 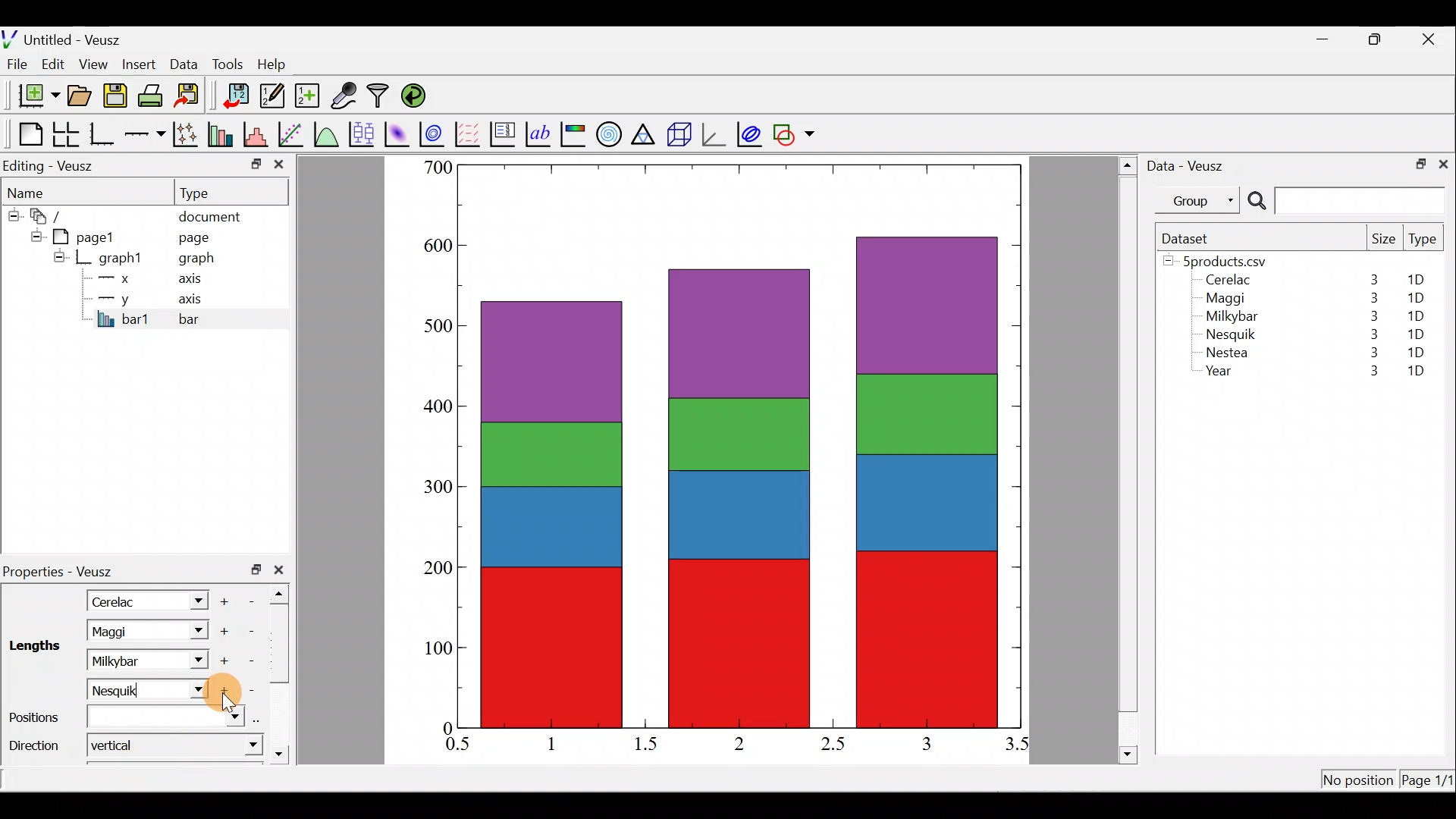 I want to click on Cursor, so click(x=218, y=686).